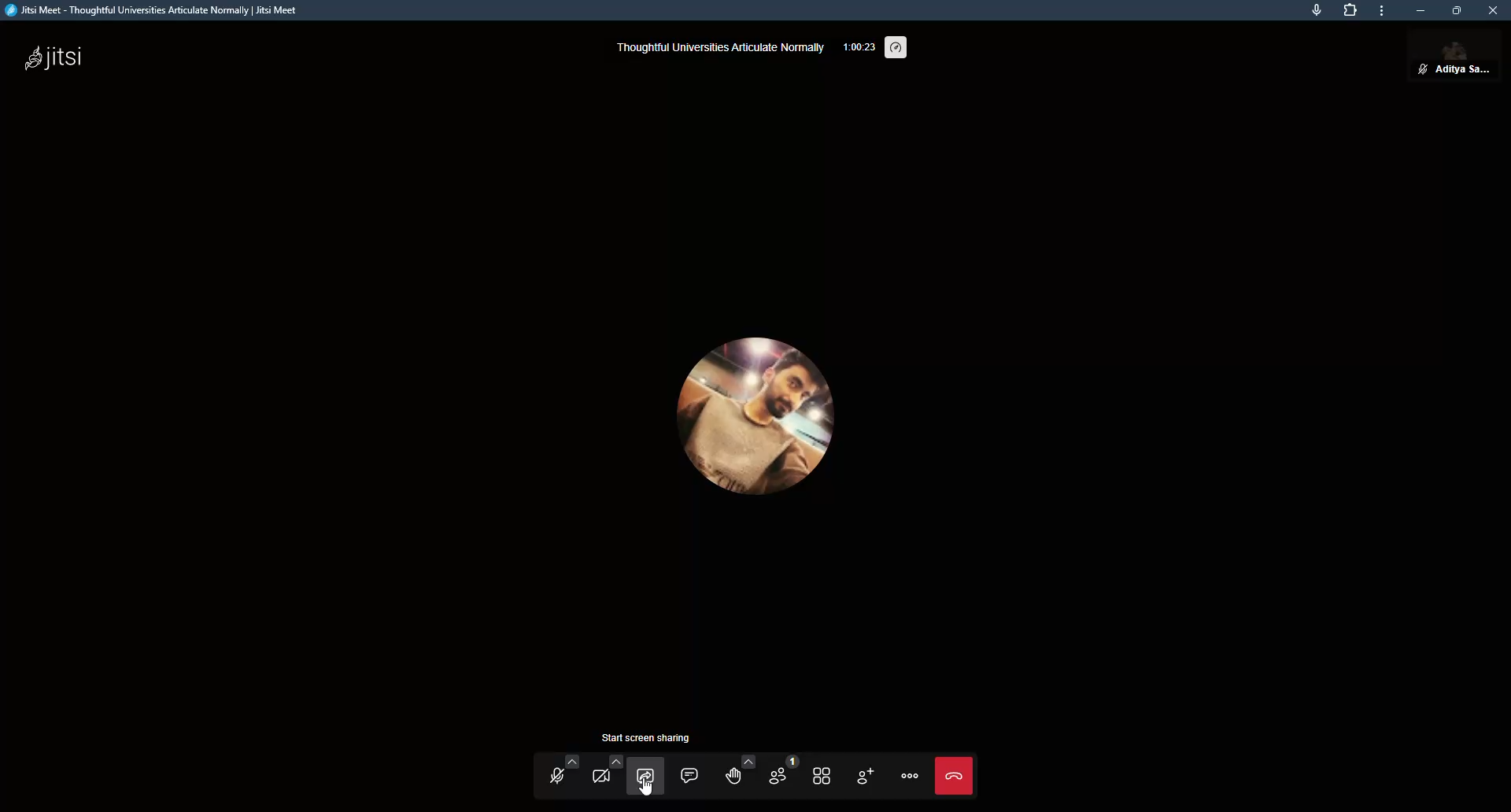 The image size is (1511, 812). I want to click on microphone, so click(1310, 13).